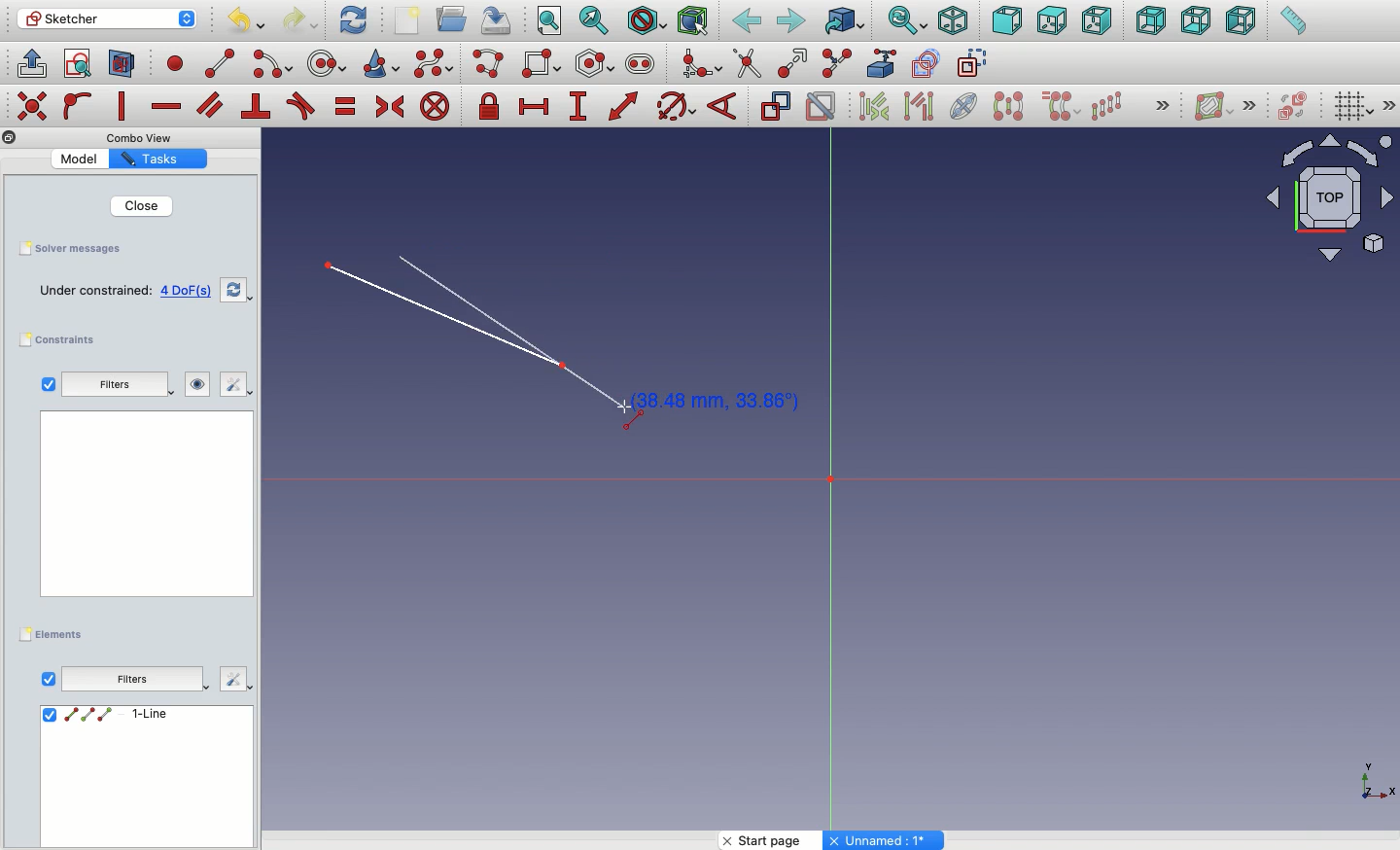  Describe the element at coordinates (1354, 108) in the screenshot. I see `Toggle grid` at that location.